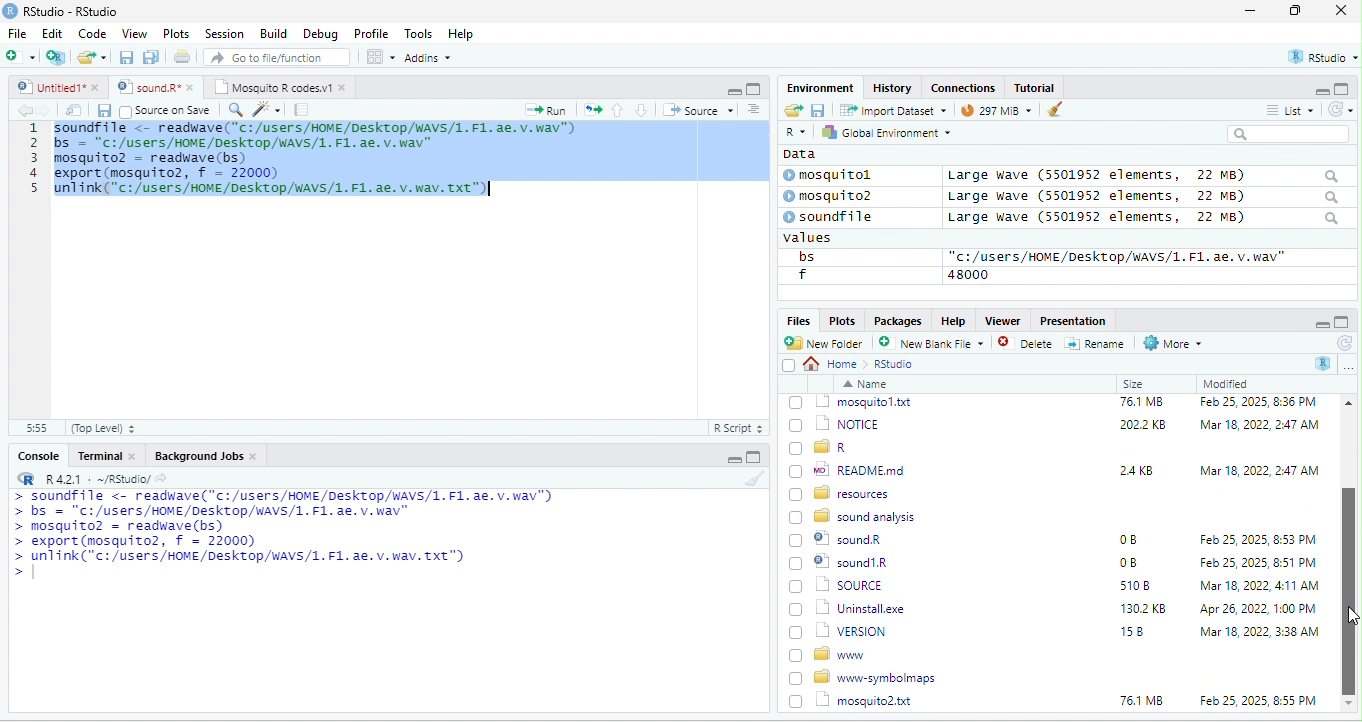 The image size is (1362, 722). What do you see at coordinates (74, 110) in the screenshot?
I see `open` at bounding box center [74, 110].